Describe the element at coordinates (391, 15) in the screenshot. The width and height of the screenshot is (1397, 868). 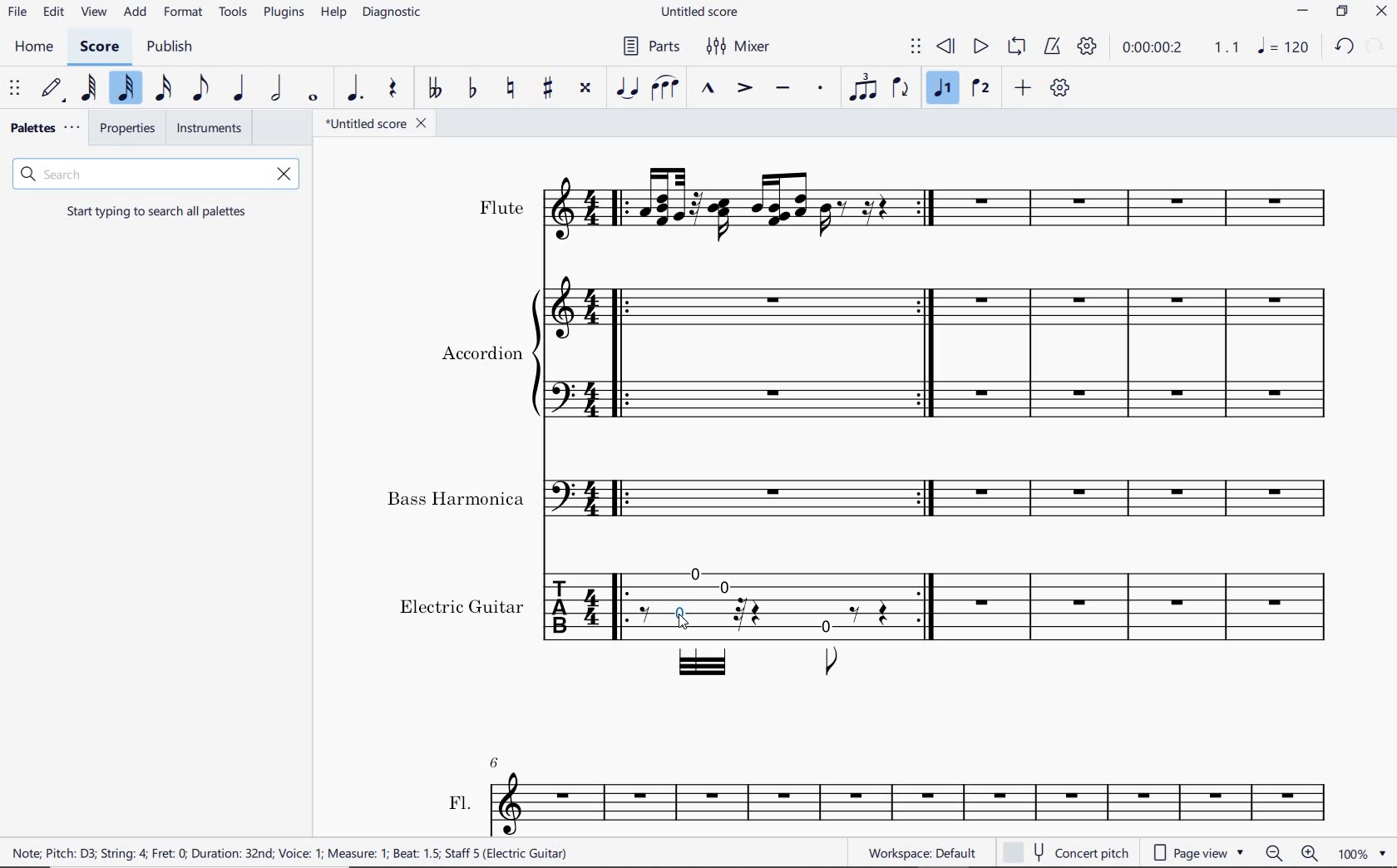
I see `diagnostic` at that location.